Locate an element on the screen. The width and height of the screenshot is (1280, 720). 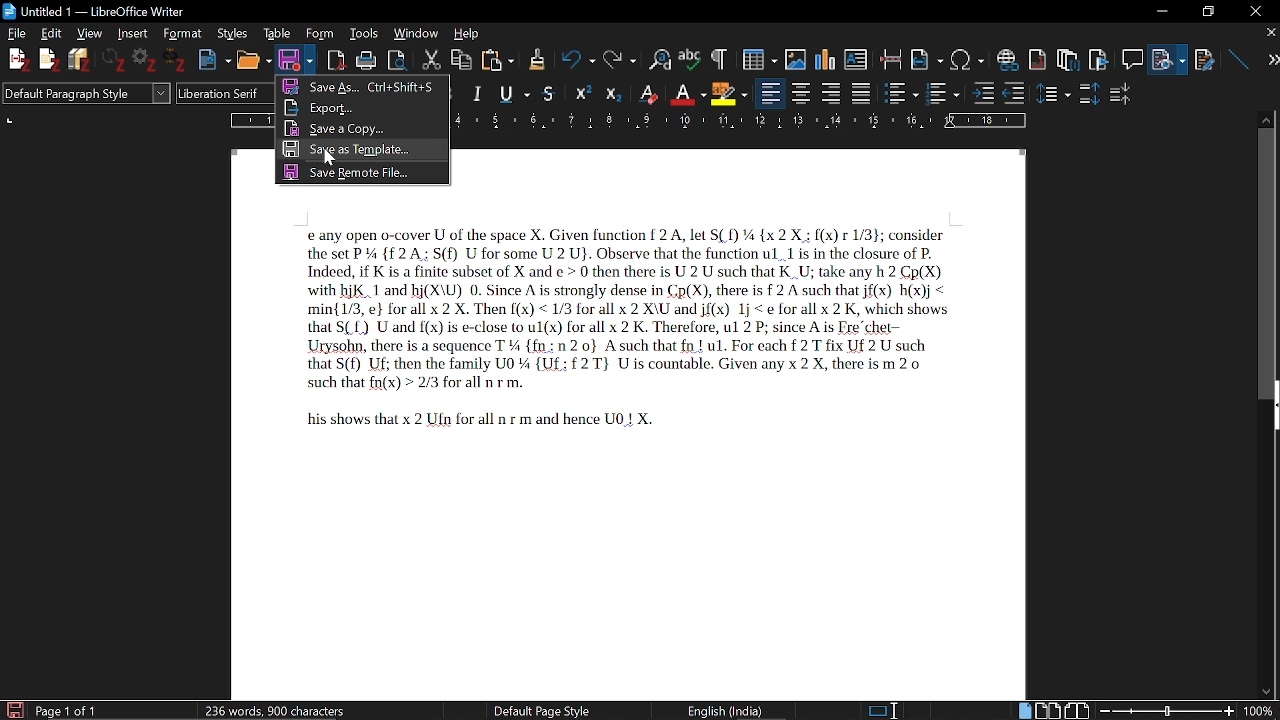
Format is located at coordinates (180, 33).